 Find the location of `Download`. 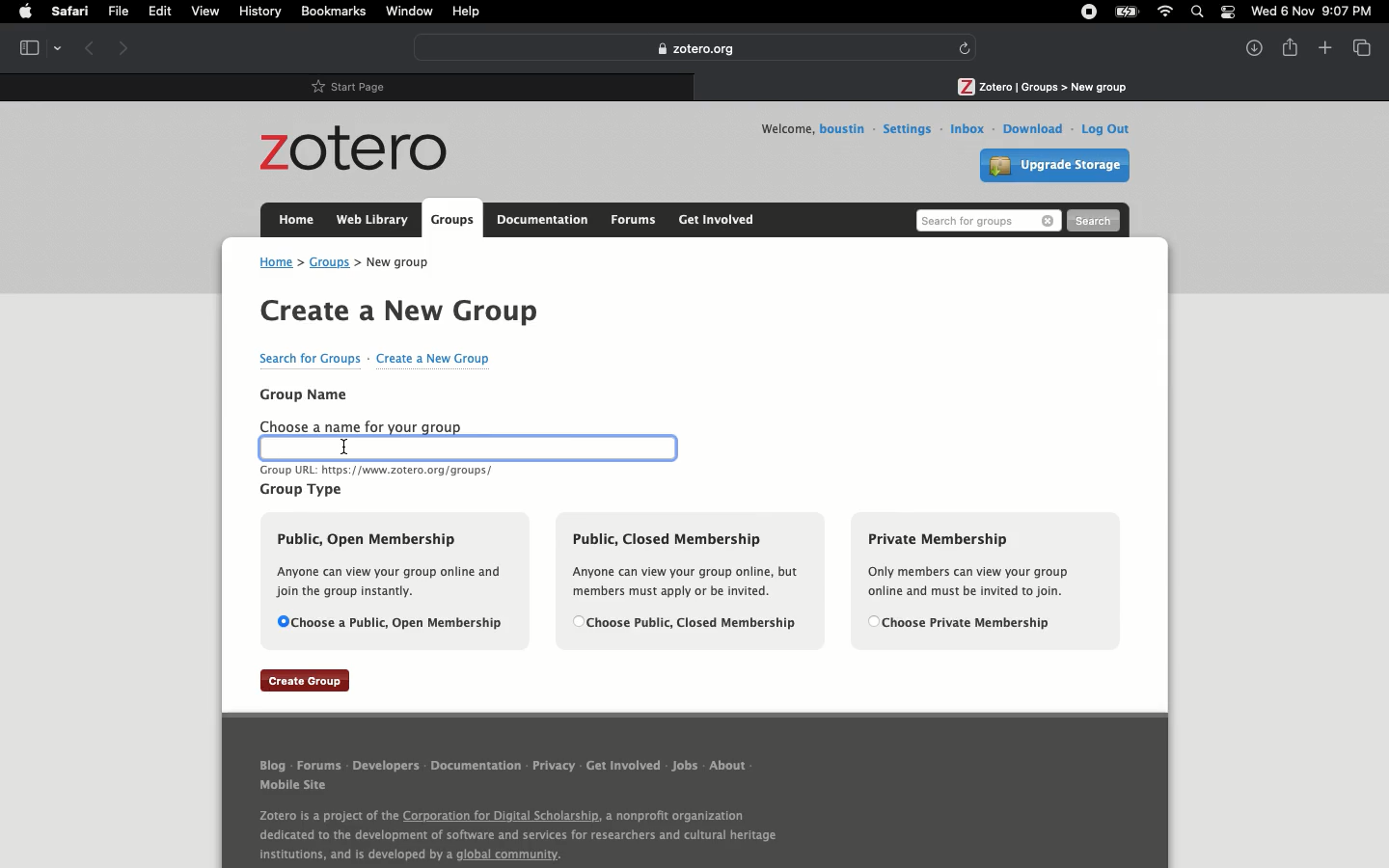

Download is located at coordinates (1032, 128).